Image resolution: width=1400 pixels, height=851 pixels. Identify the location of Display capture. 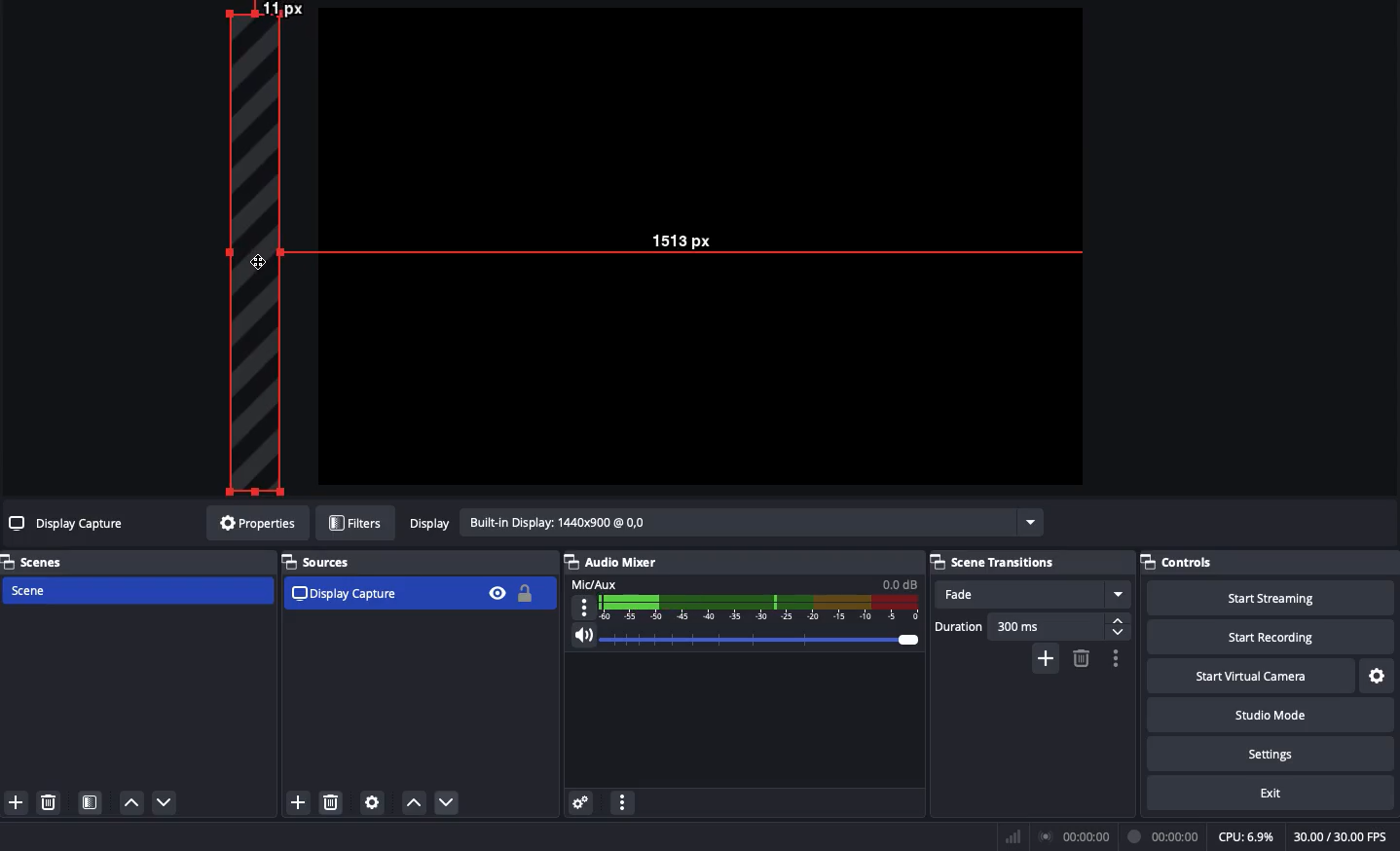
(348, 593).